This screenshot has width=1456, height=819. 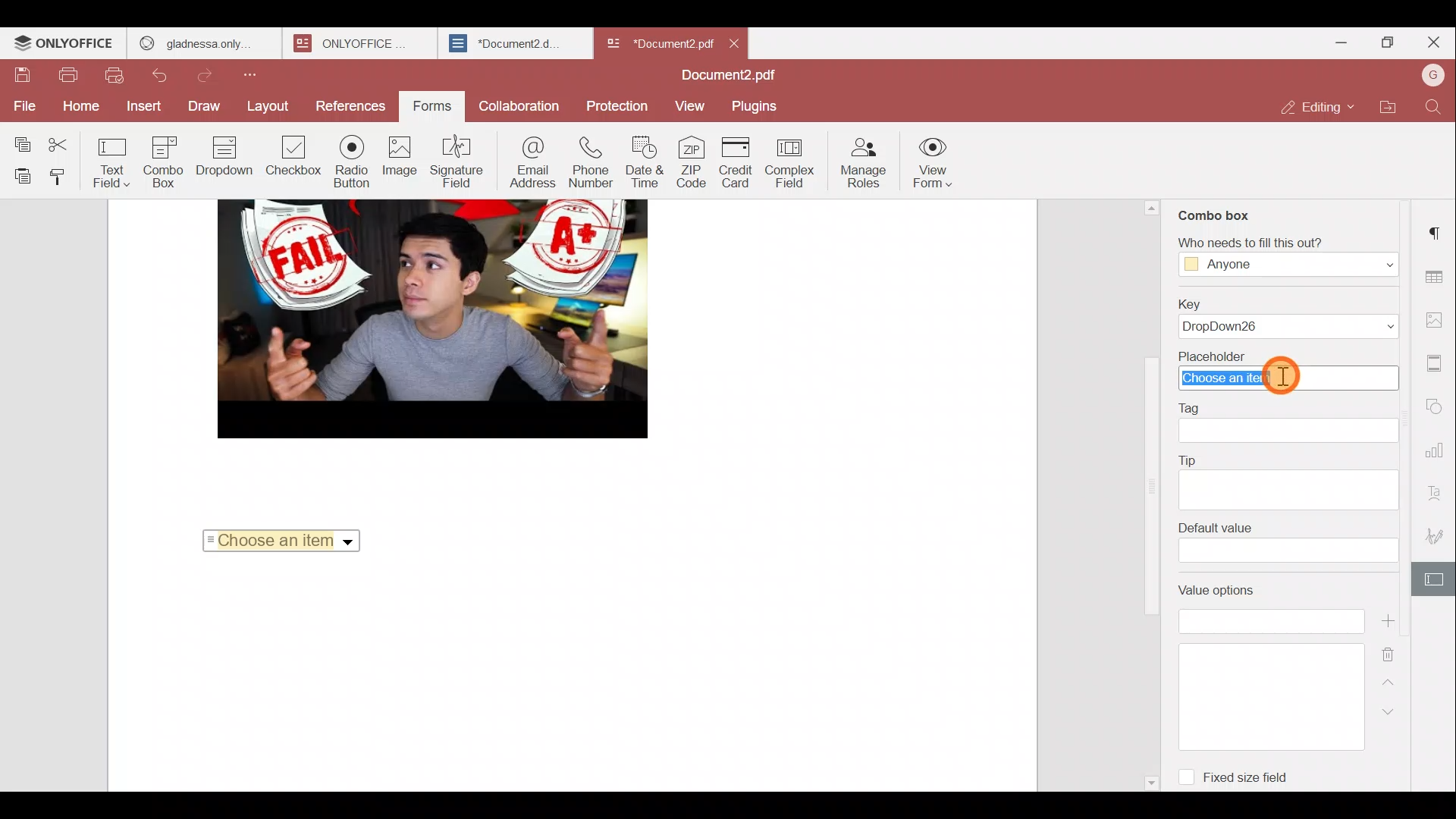 What do you see at coordinates (1280, 256) in the screenshot?
I see `‘Who needs to fill this out?` at bounding box center [1280, 256].